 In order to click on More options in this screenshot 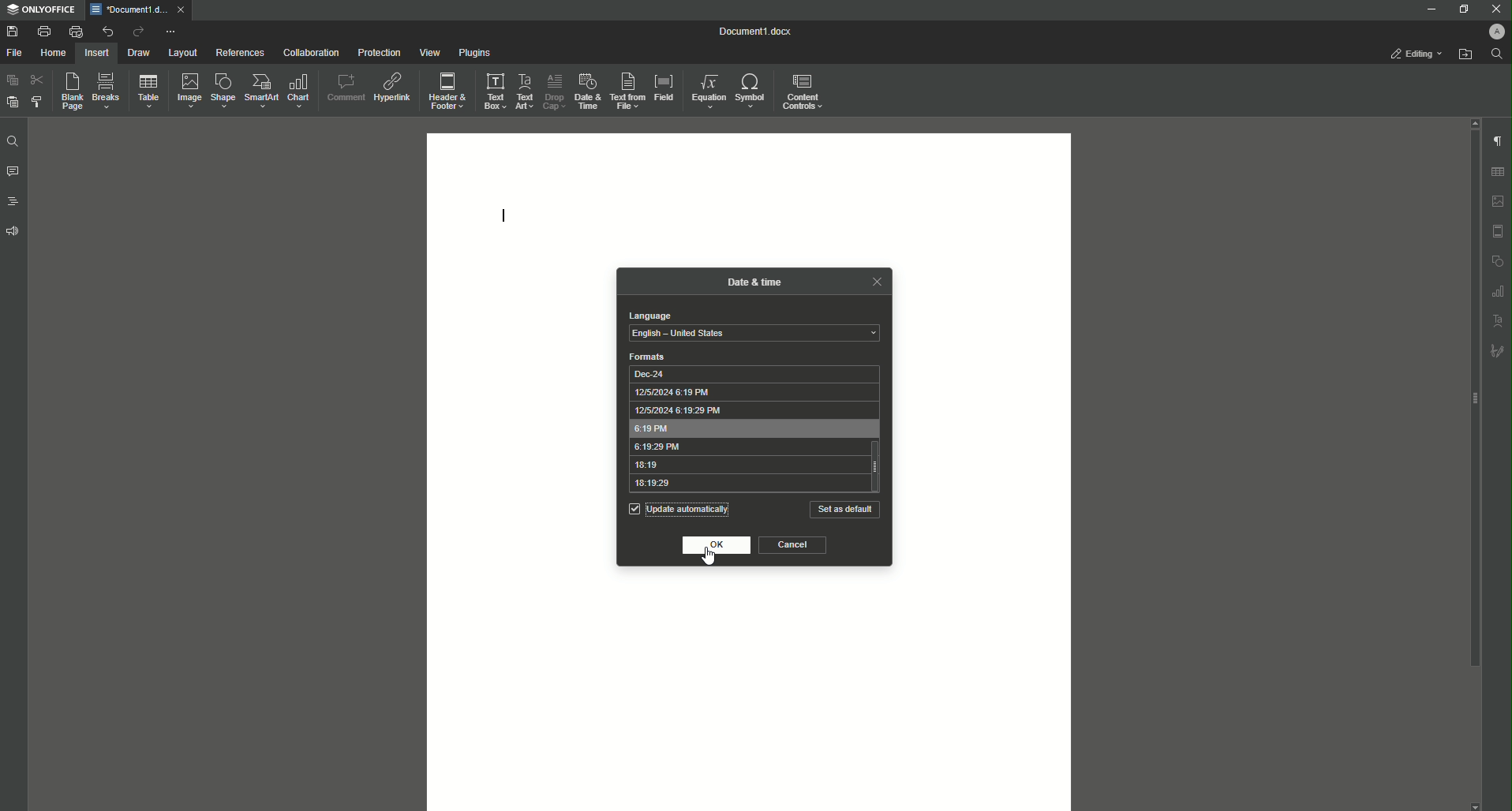, I will do `click(172, 32)`.